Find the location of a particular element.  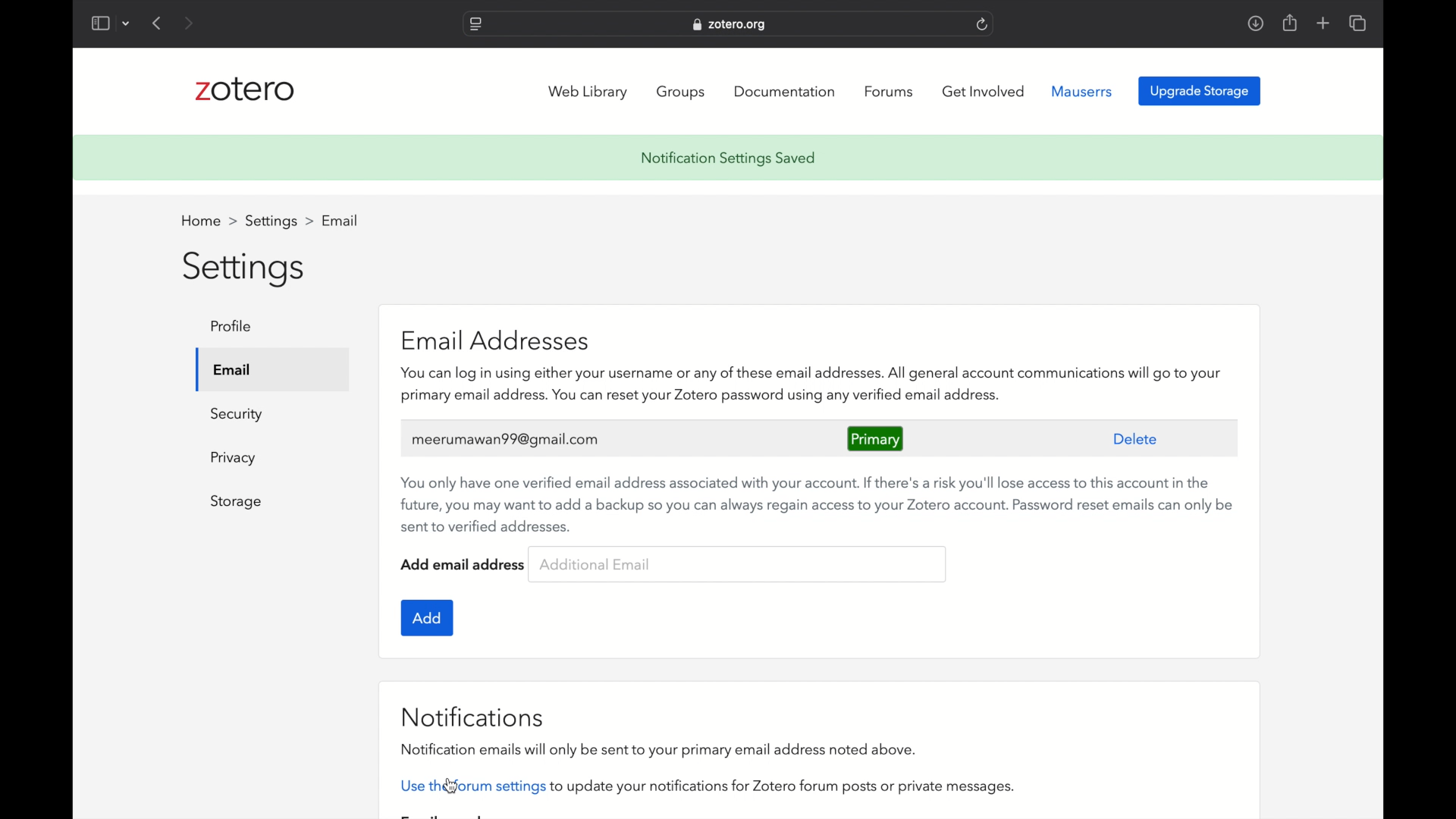

delete is located at coordinates (1136, 438).